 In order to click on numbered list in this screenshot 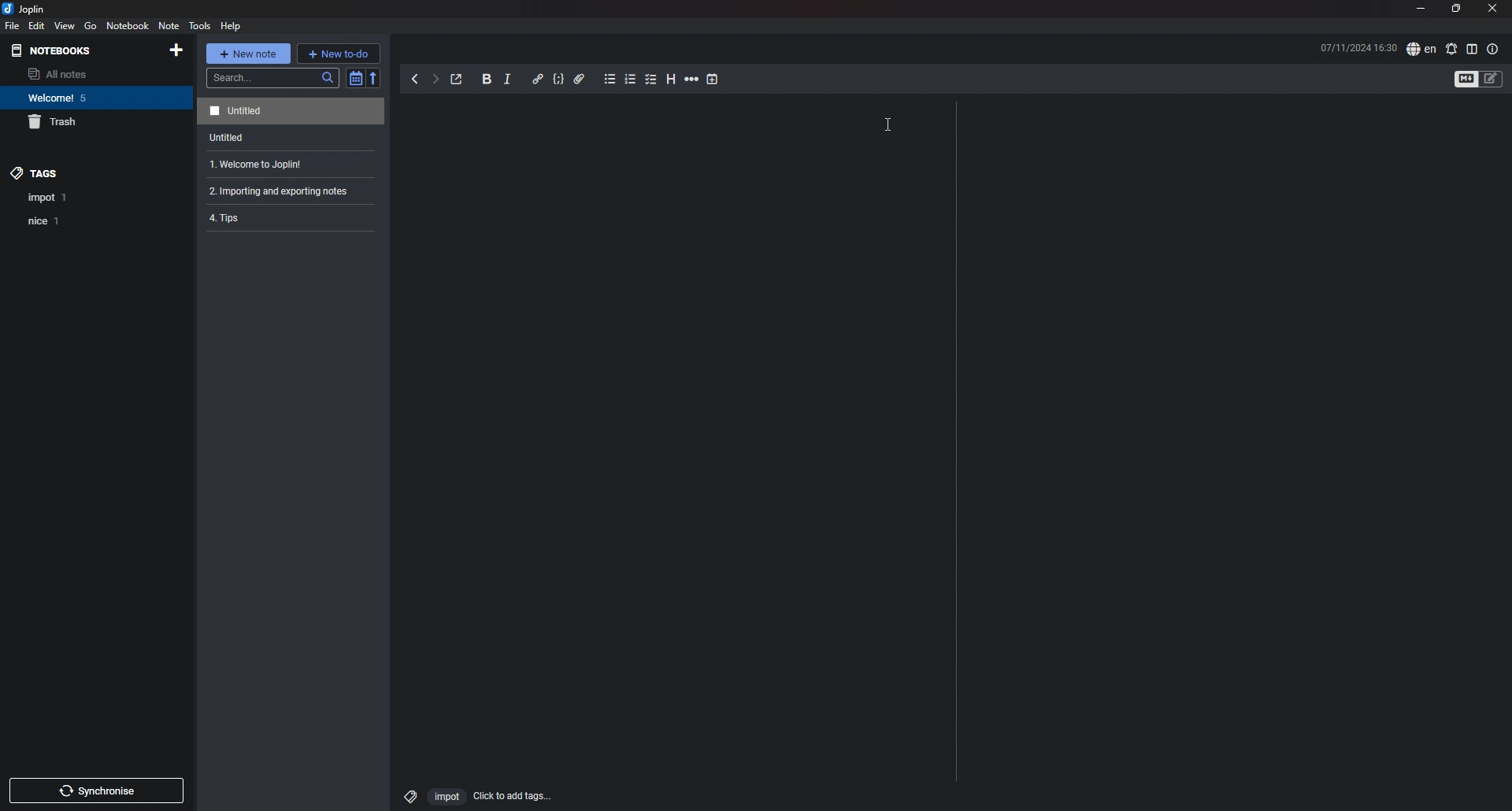, I will do `click(631, 79)`.